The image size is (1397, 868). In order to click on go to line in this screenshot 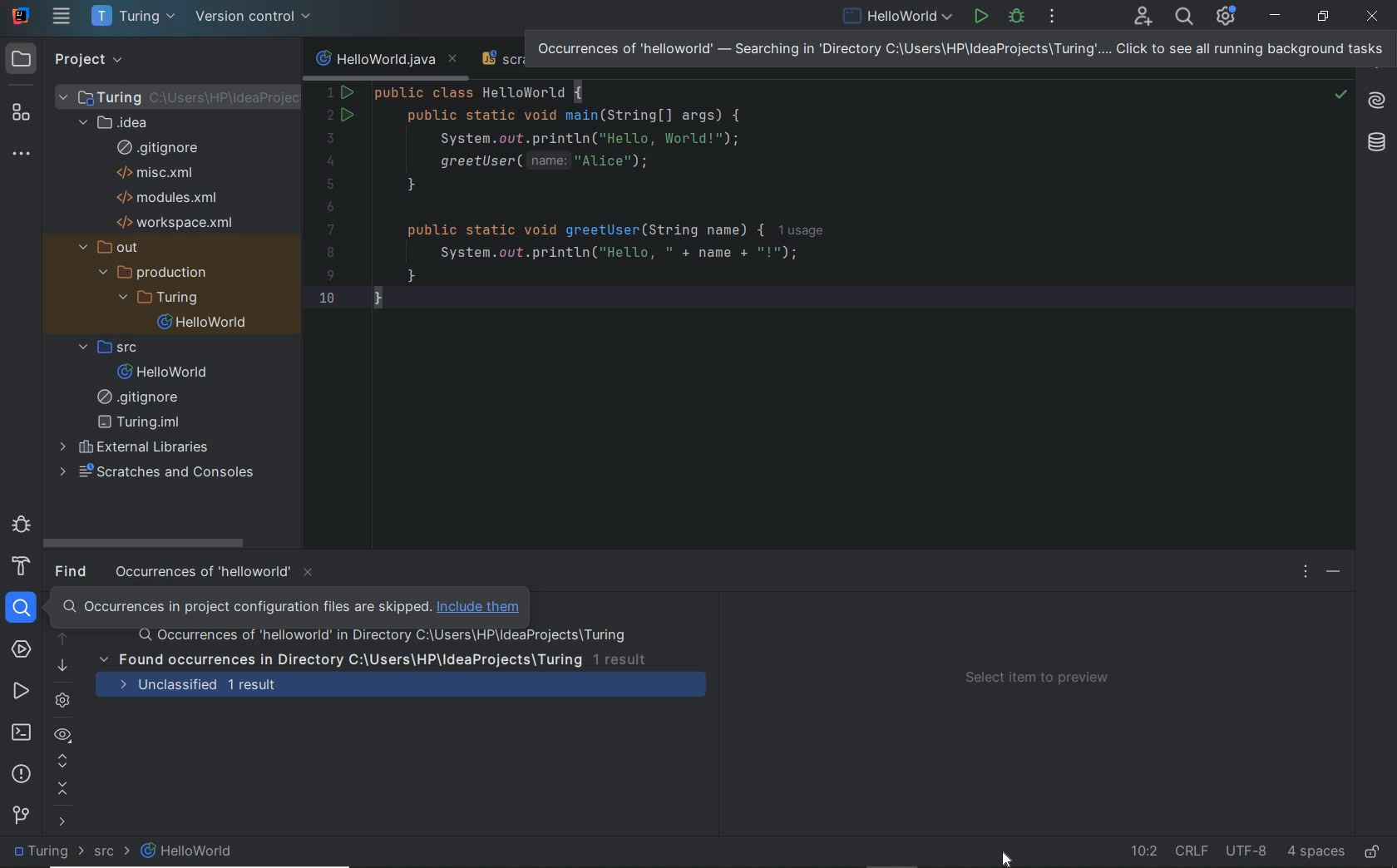, I will do `click(1141, 851)`.